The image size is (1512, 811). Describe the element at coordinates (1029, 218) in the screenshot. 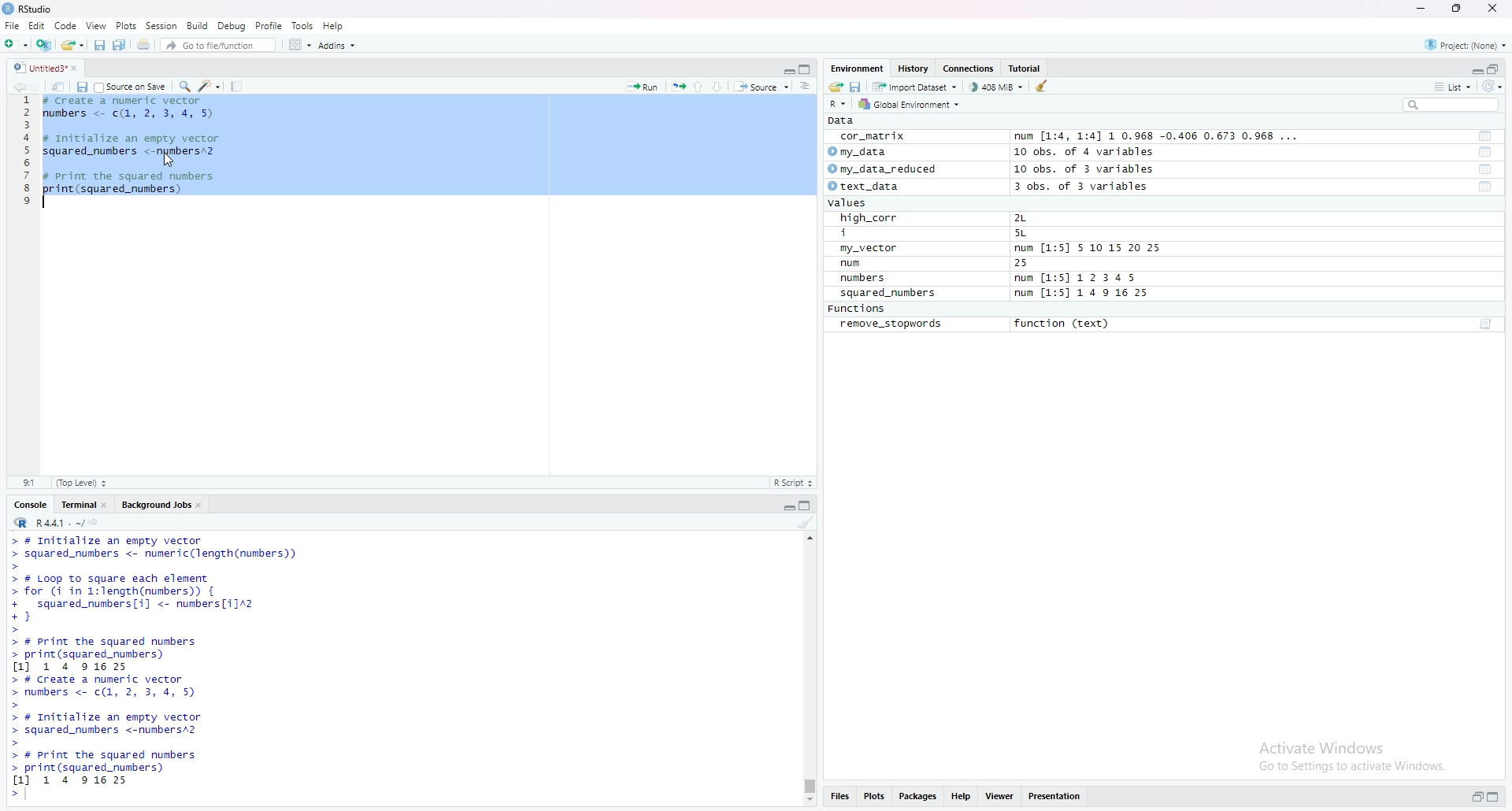

I see `2L` at that location.